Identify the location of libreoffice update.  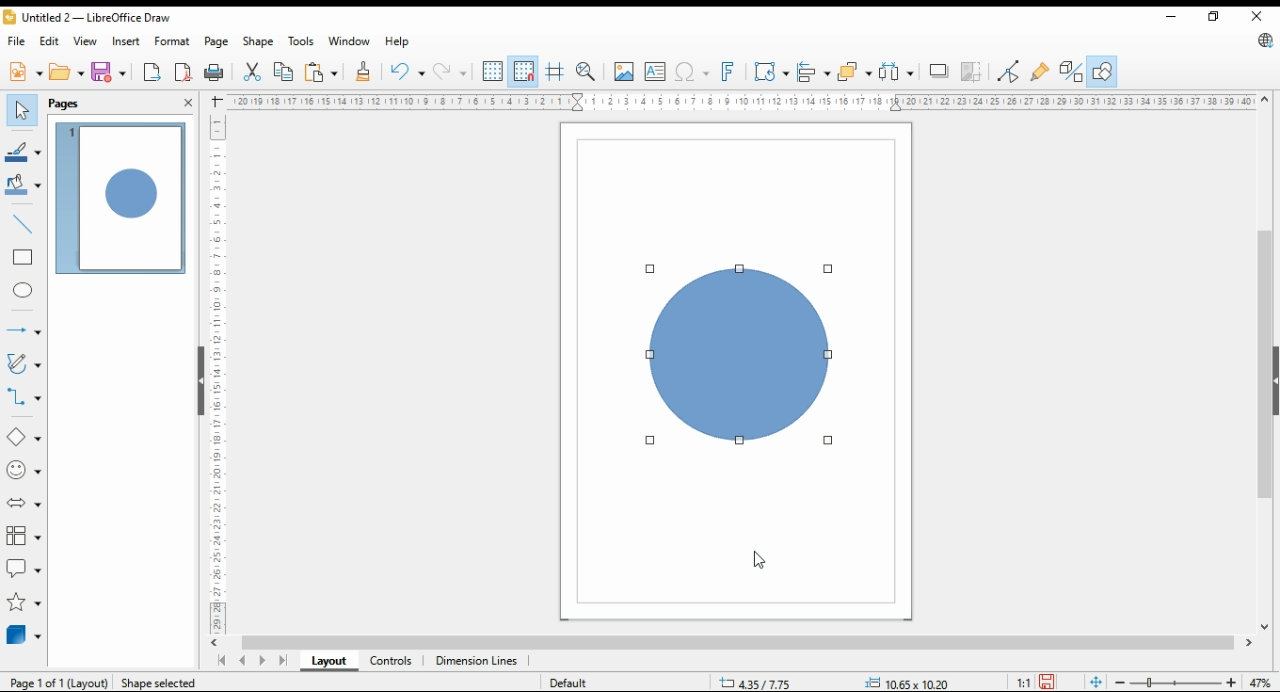
(1264, 41).